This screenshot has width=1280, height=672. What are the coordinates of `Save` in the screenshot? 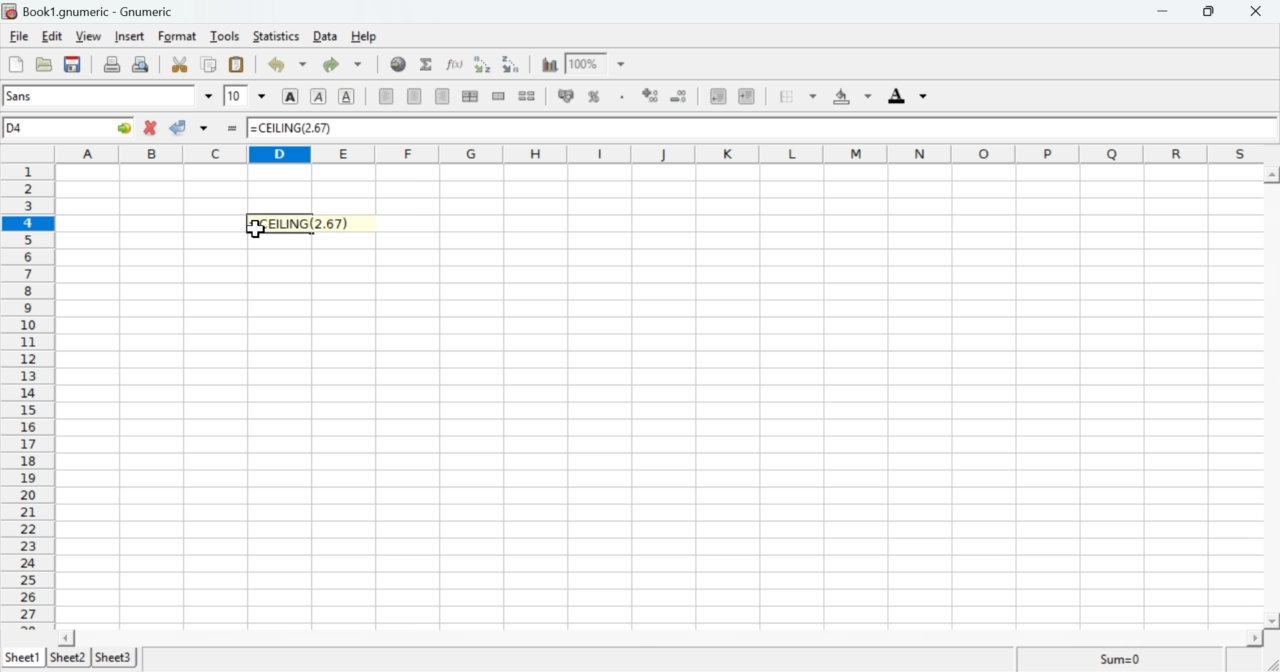 It's located at (72, 65).